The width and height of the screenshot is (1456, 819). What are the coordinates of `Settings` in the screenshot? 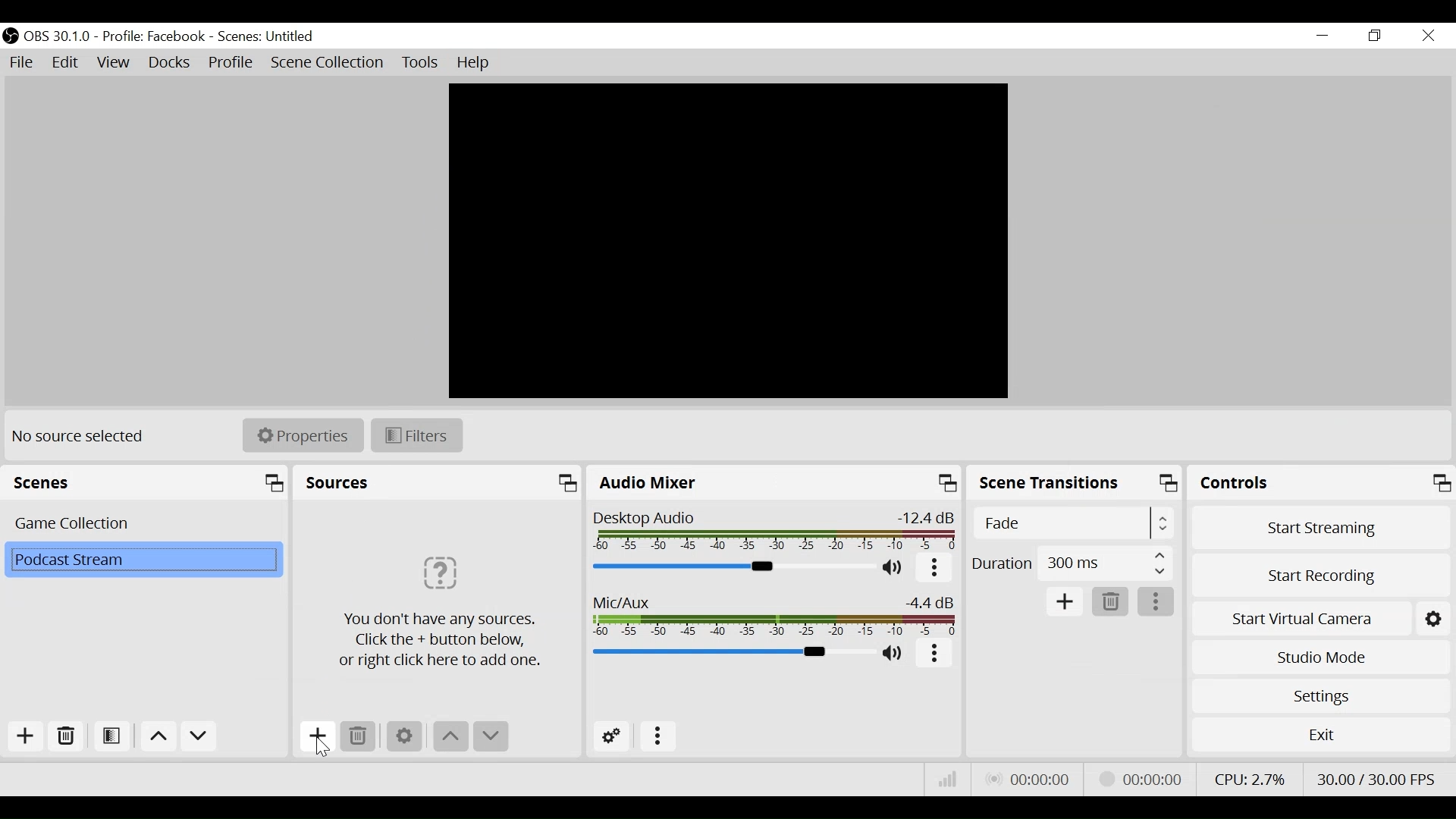 It's located at (1320, 696).